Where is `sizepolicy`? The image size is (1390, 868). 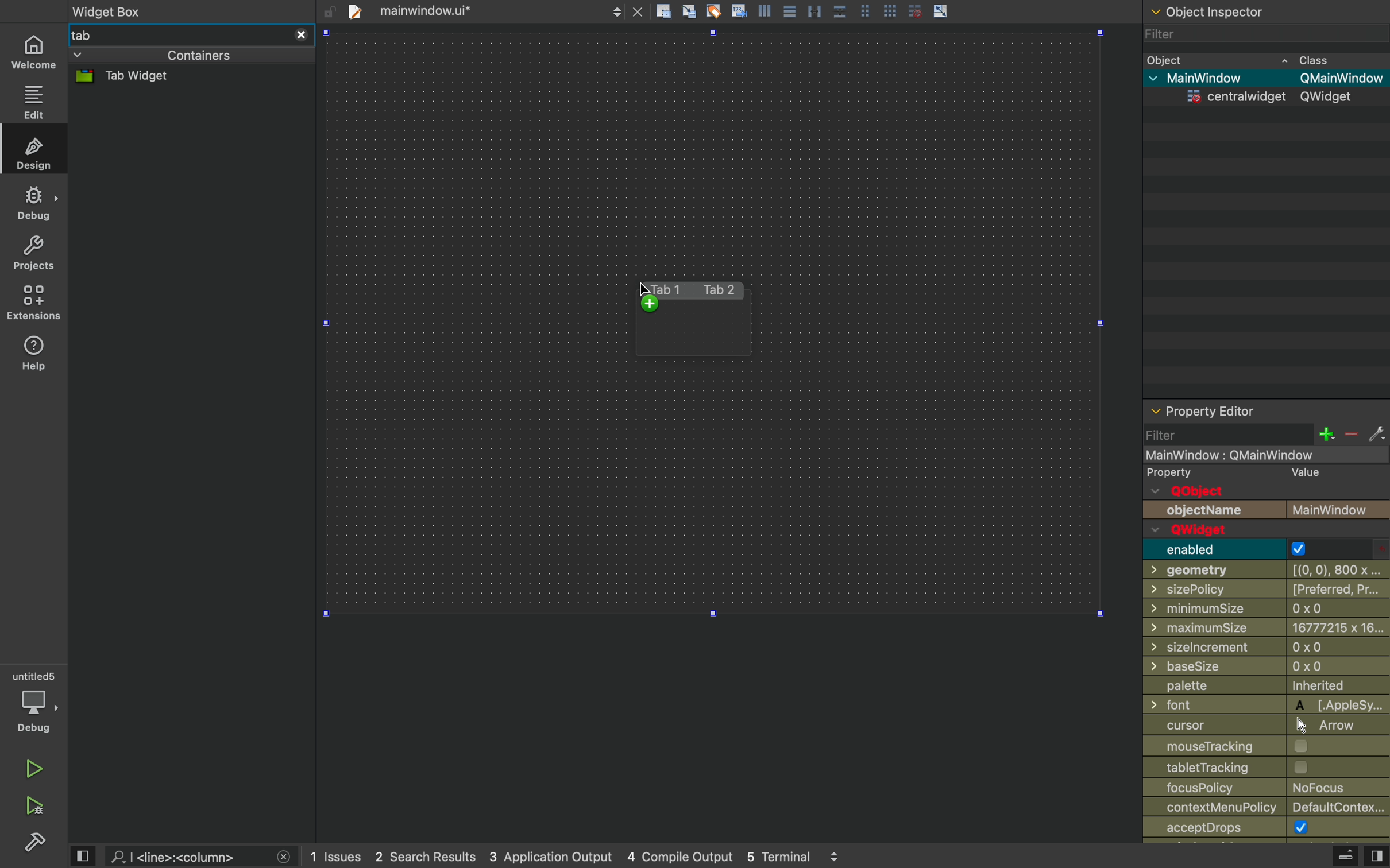 sizepolicy is located at coordinates (1265, 591).